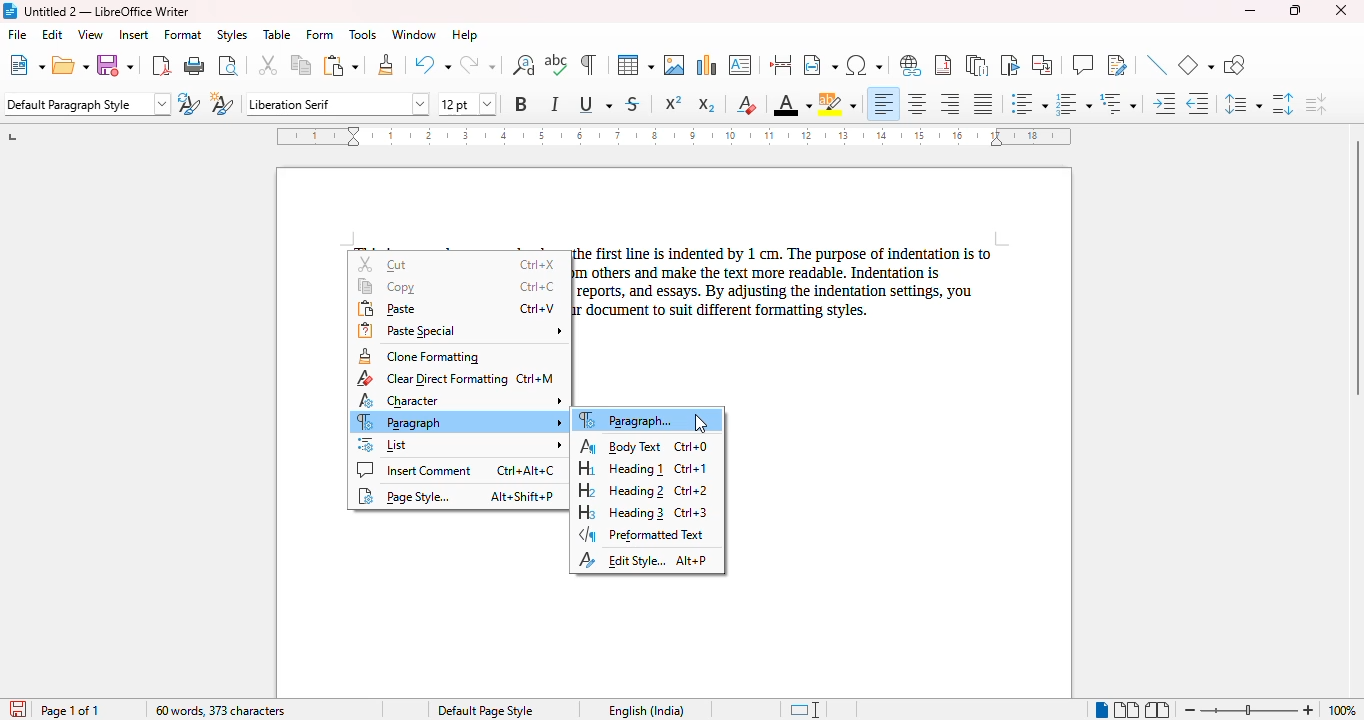 This screenshot has height=720, width=1364. I want to click on strikethrough, so click(633, 104).